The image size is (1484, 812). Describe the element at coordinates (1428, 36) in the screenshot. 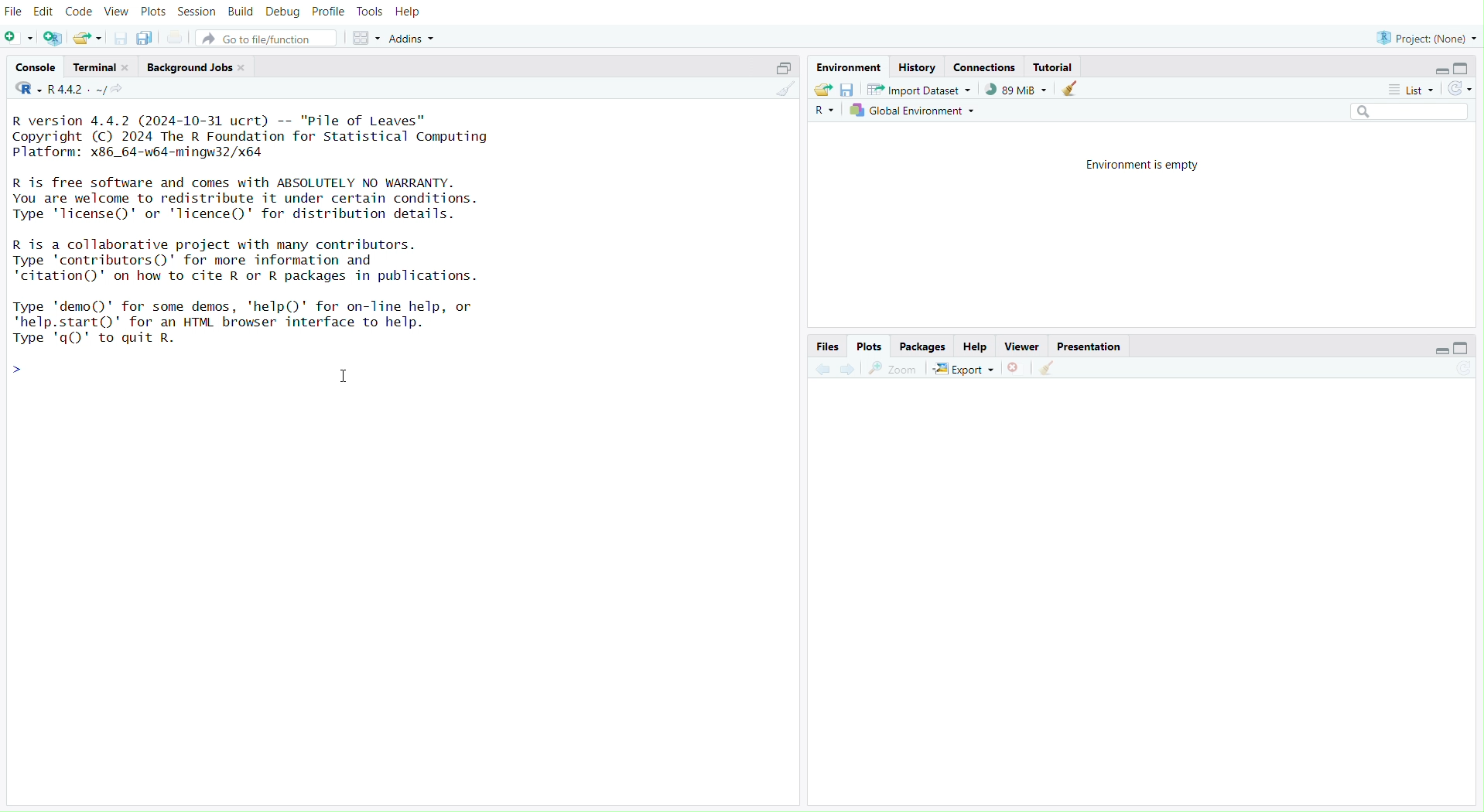

I see `Progress (None)` at that location.